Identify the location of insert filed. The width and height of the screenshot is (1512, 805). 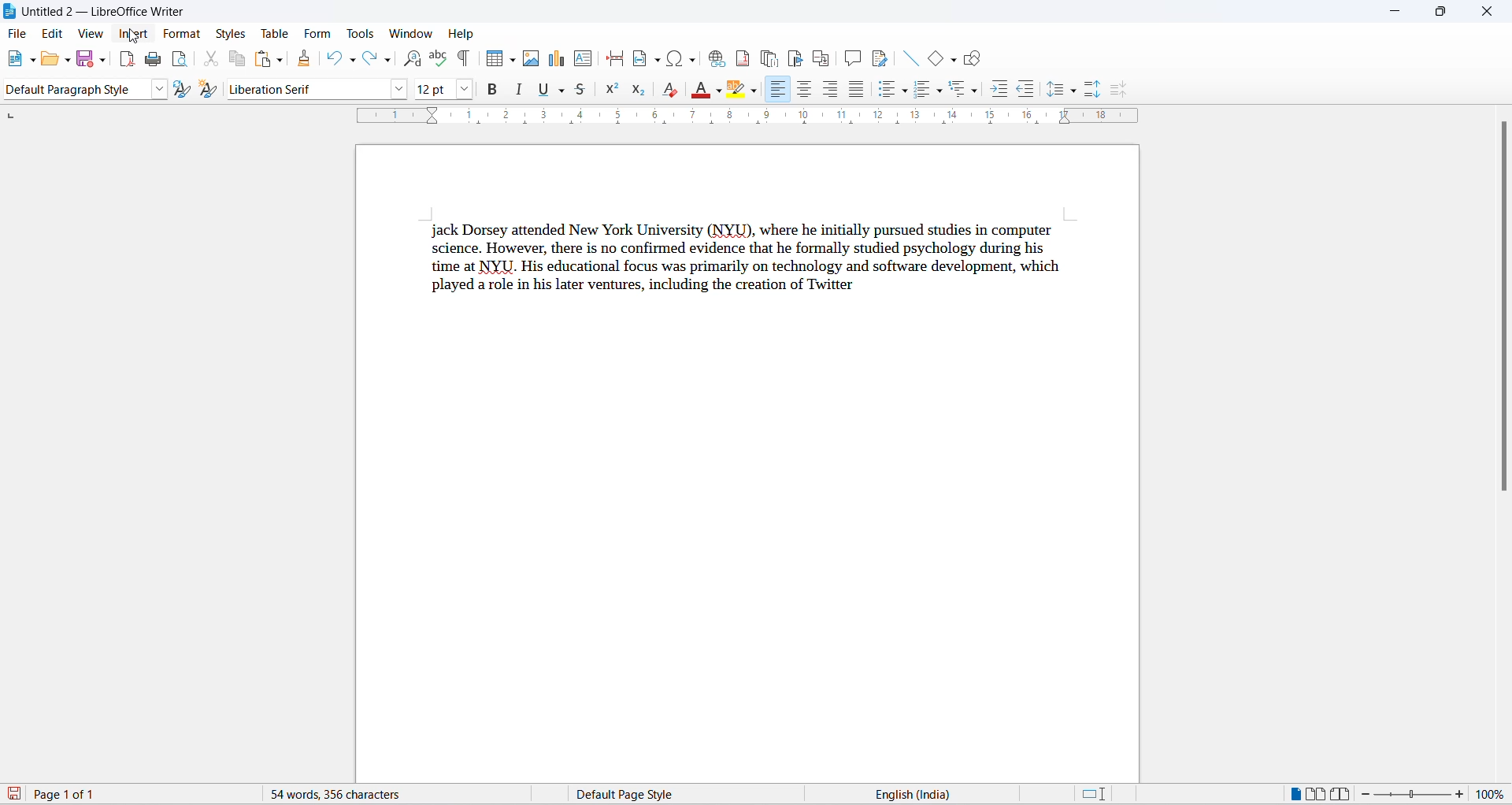
(646, 58).